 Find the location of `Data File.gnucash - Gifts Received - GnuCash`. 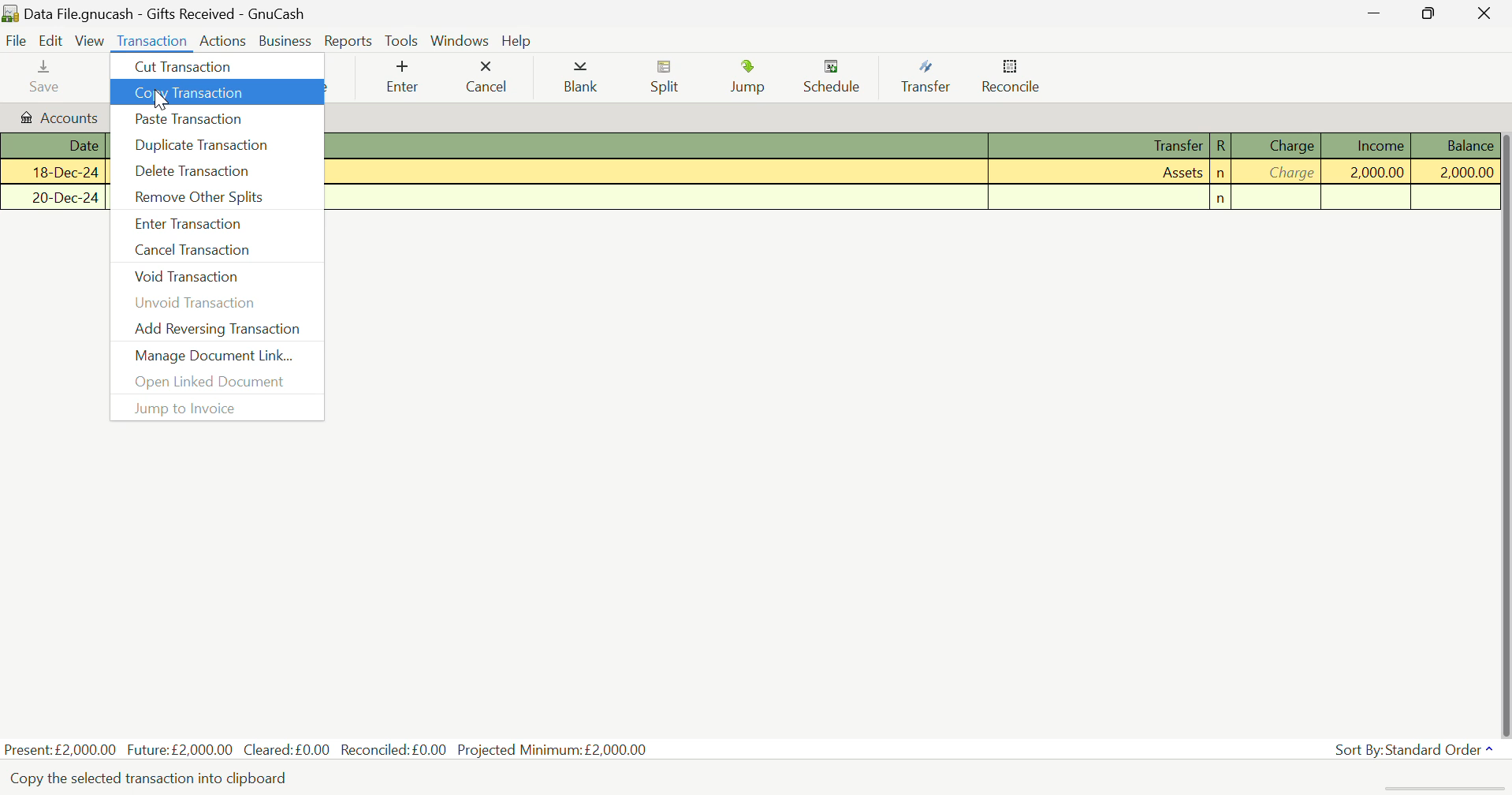

Data File.gnucash - Gifts Received - GnuCash is located at coordinates (191, 13).